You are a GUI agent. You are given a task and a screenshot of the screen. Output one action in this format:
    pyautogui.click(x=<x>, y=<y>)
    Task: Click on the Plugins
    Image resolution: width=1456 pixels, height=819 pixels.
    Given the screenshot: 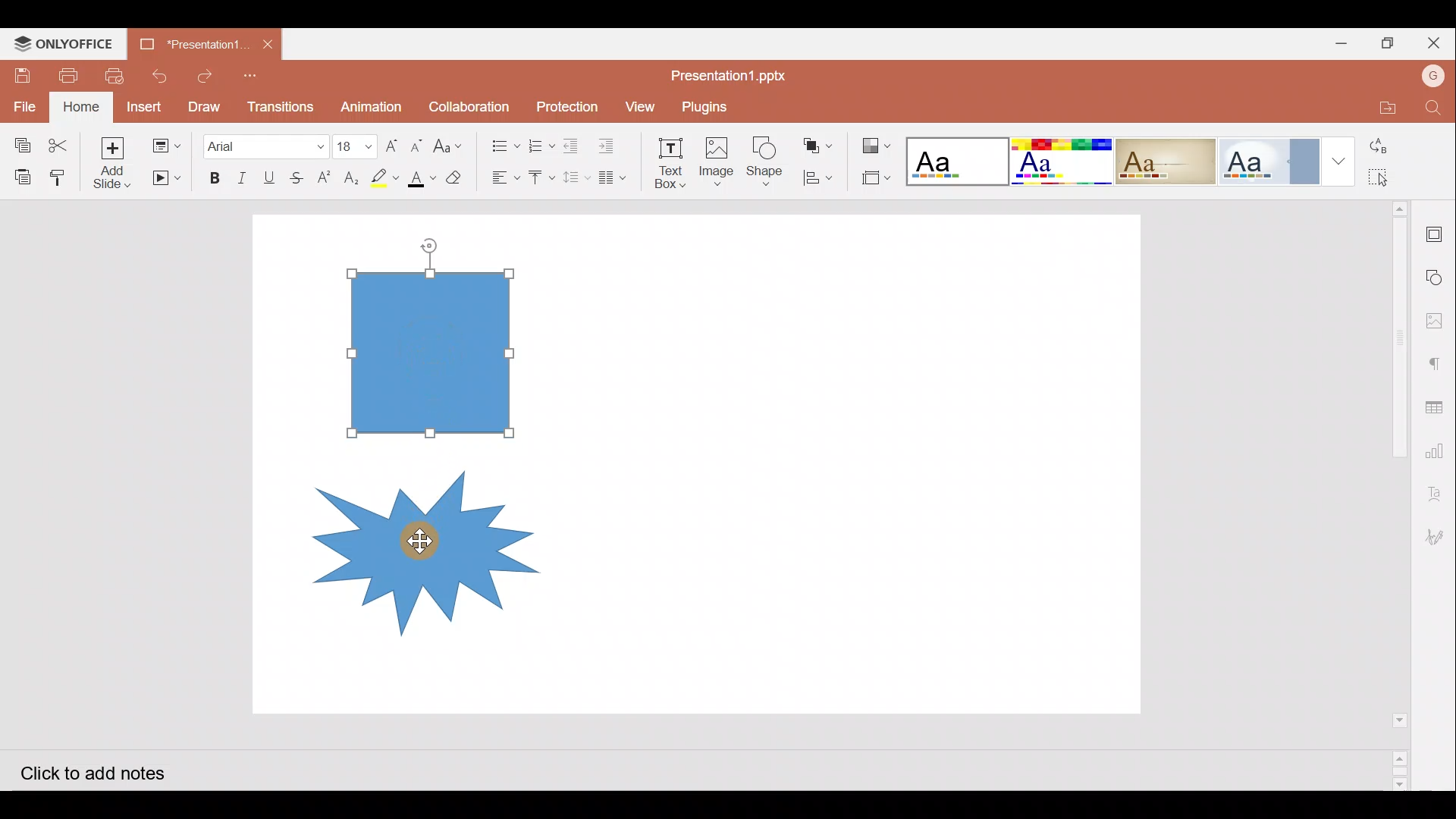 What is the action you would take?
    pyautogui.click(x=715, y=104)
    